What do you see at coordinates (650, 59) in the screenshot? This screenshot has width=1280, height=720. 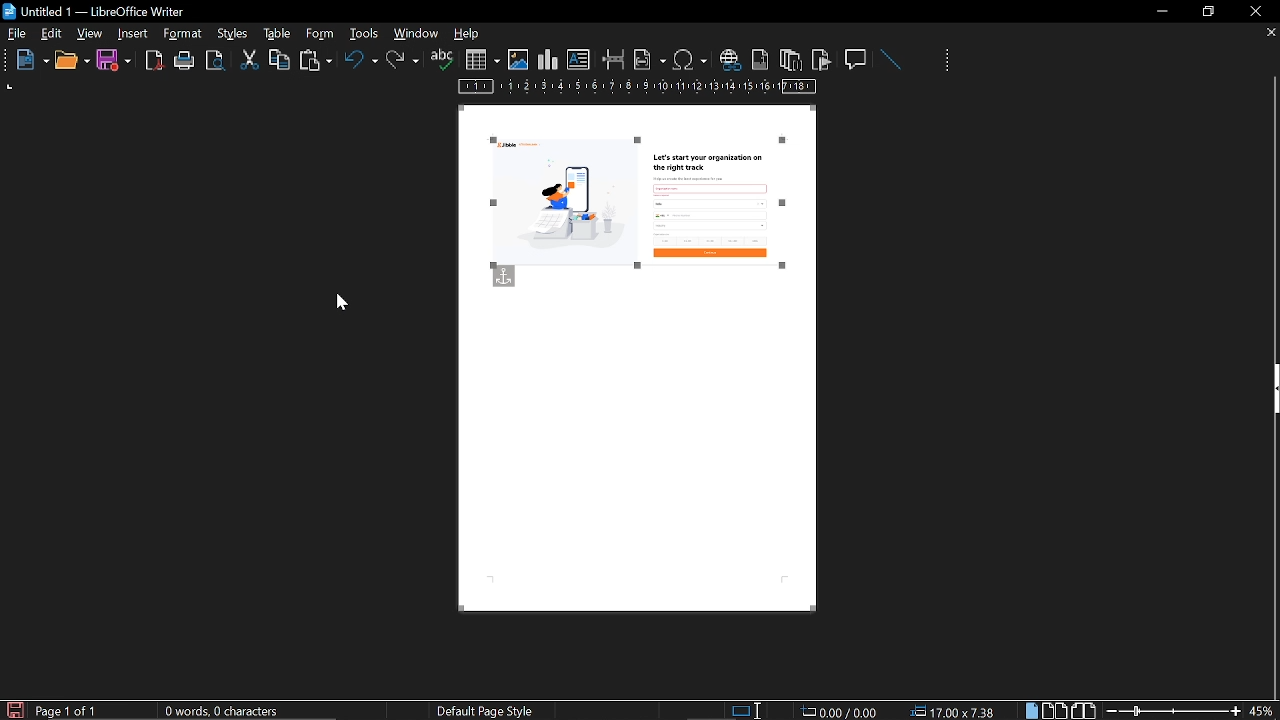 I see `insert field` at bounding box center [650, 59].